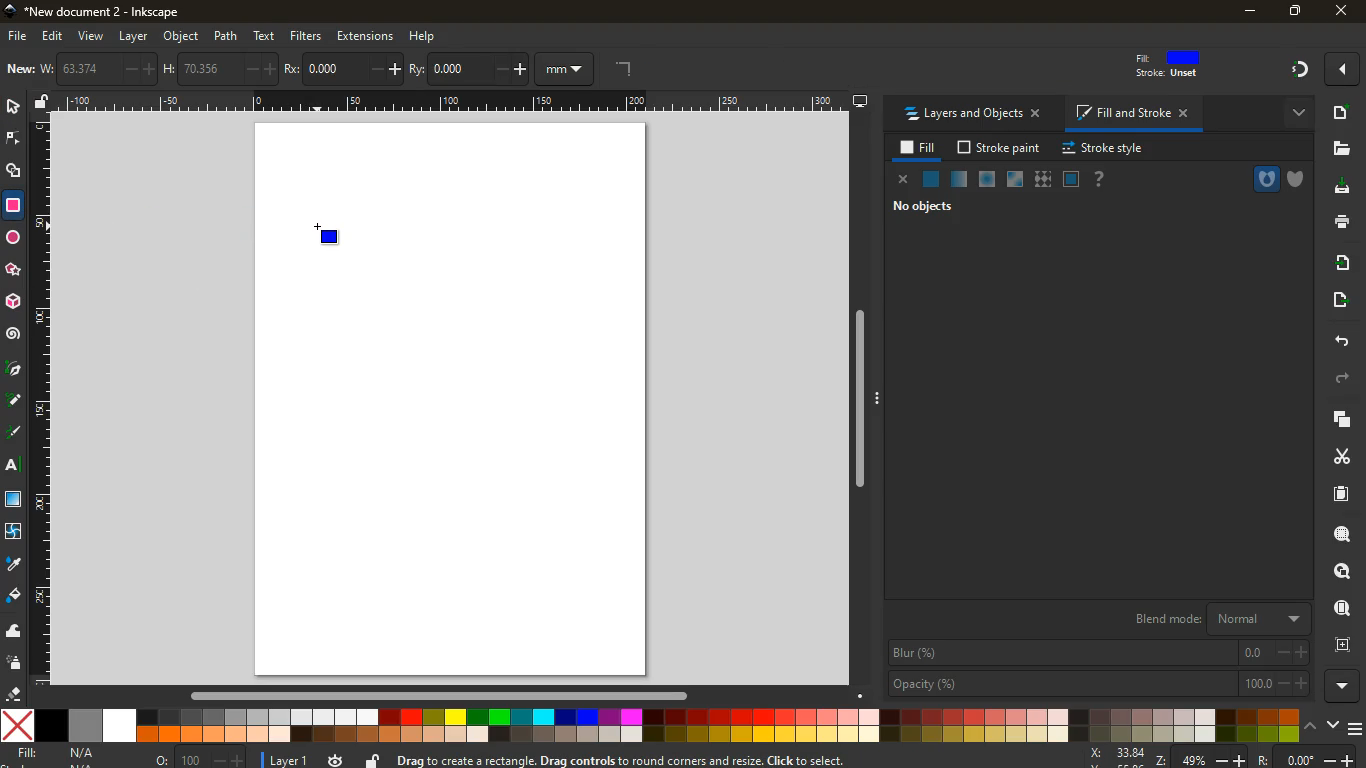  I want to click on rectangle tool, so click(15, 208).